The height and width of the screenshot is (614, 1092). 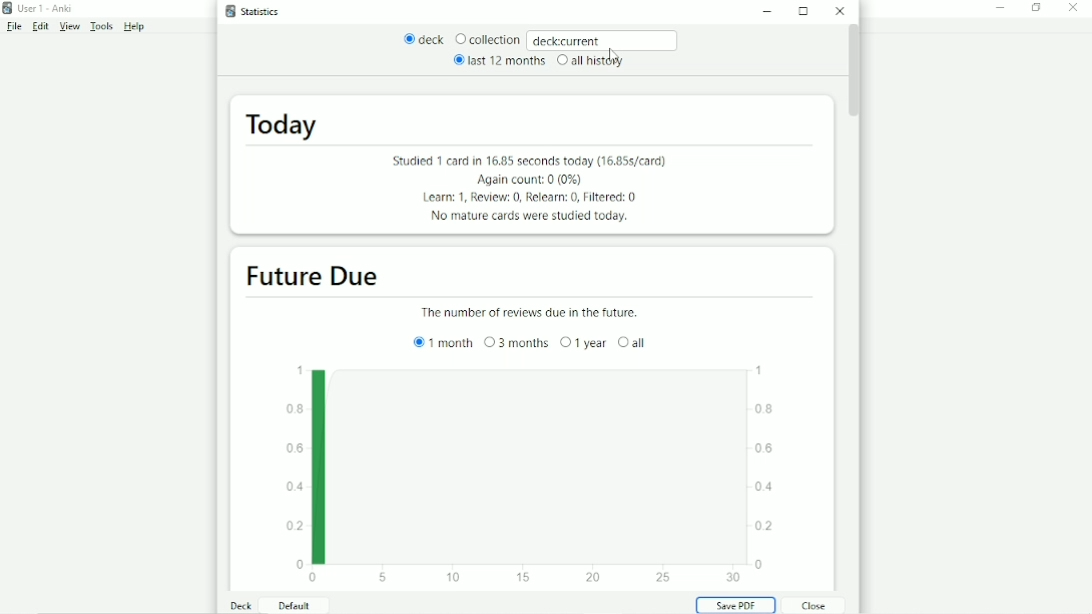 I want to click on Save PDF, so click(x=736, y=606).